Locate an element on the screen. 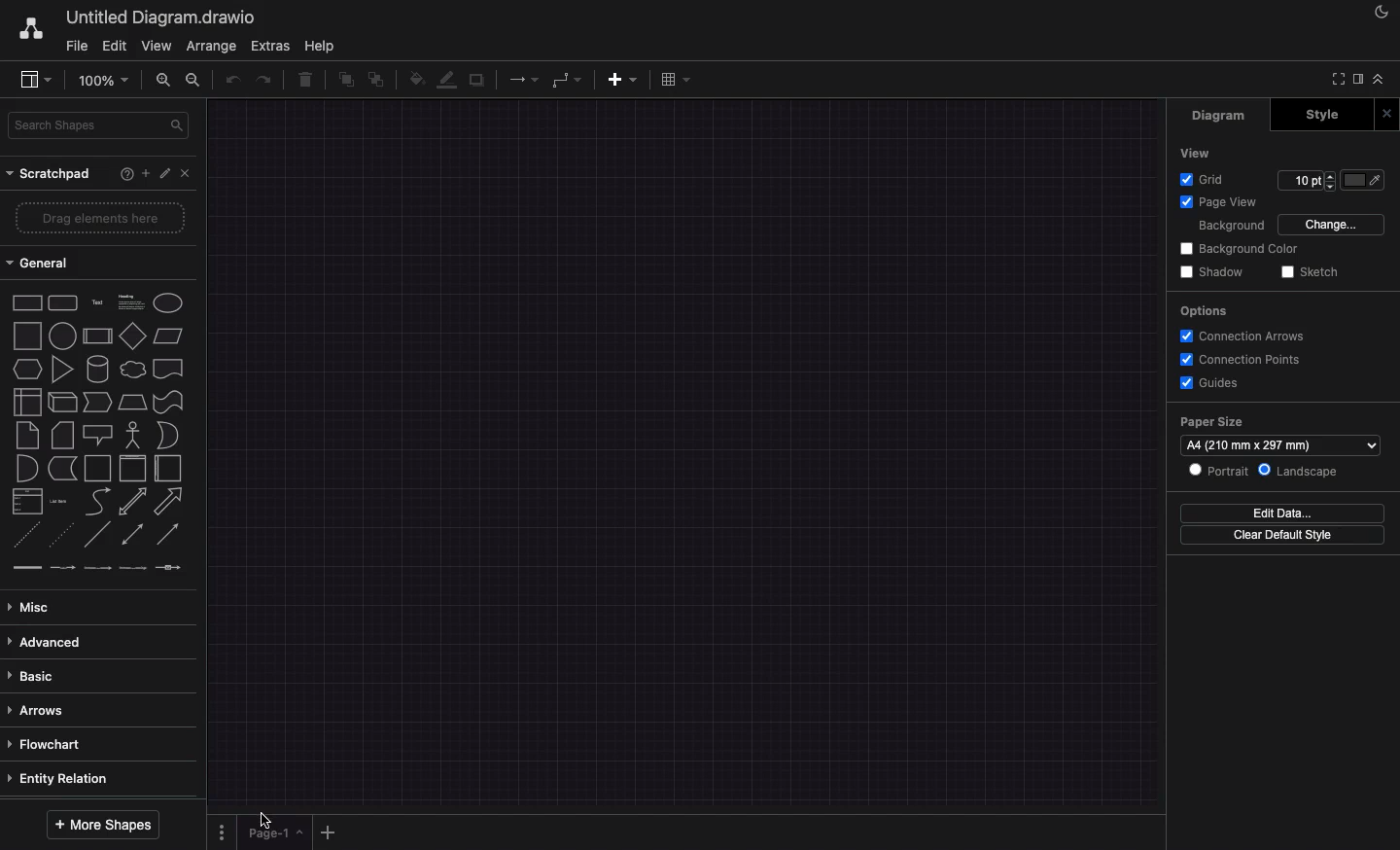 The height and width of the screenshot is (850, 1400). step is located at coordinates (98, 402).